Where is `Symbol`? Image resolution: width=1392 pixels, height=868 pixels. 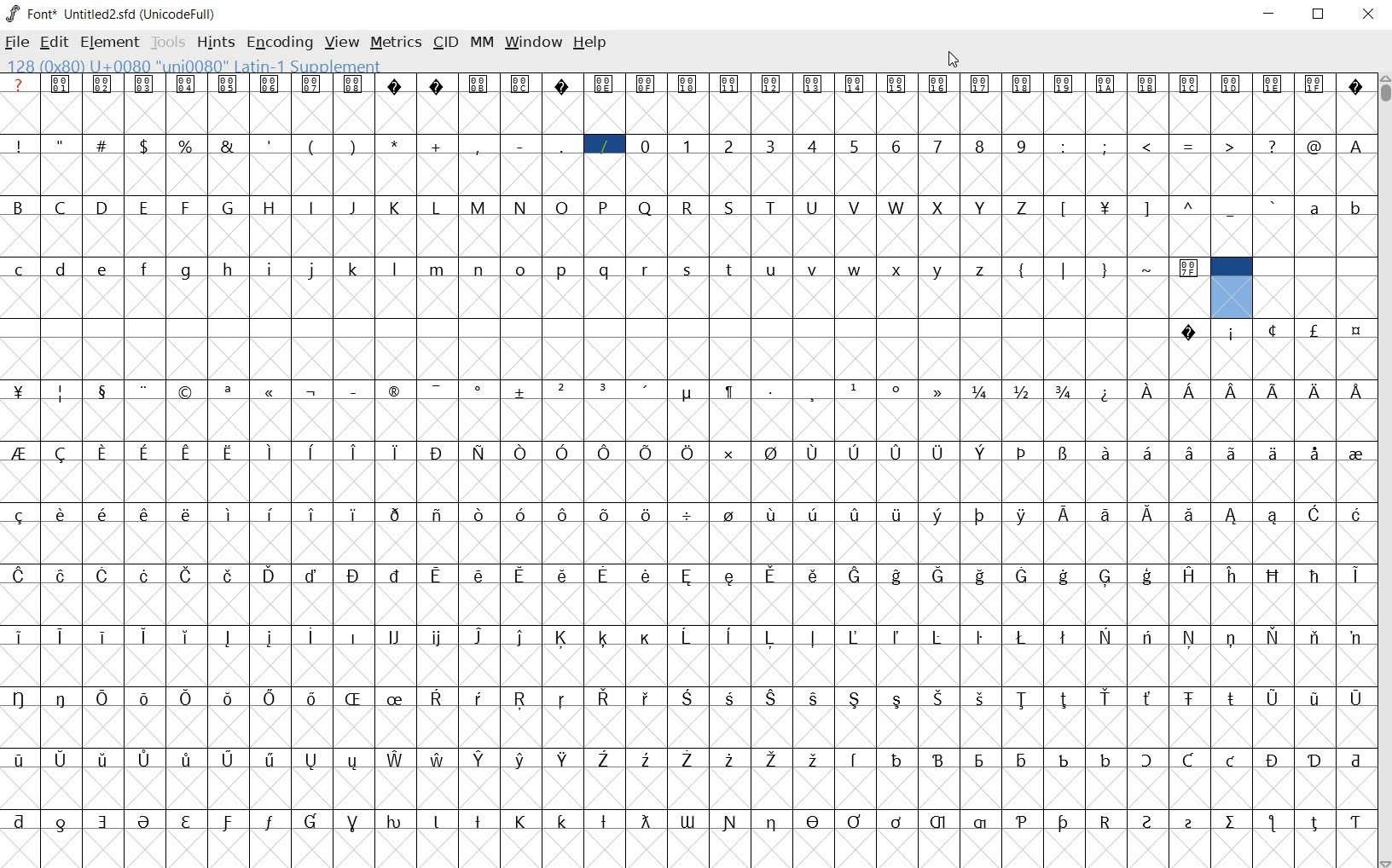 Symbol is located at coordinates (1230, 451).